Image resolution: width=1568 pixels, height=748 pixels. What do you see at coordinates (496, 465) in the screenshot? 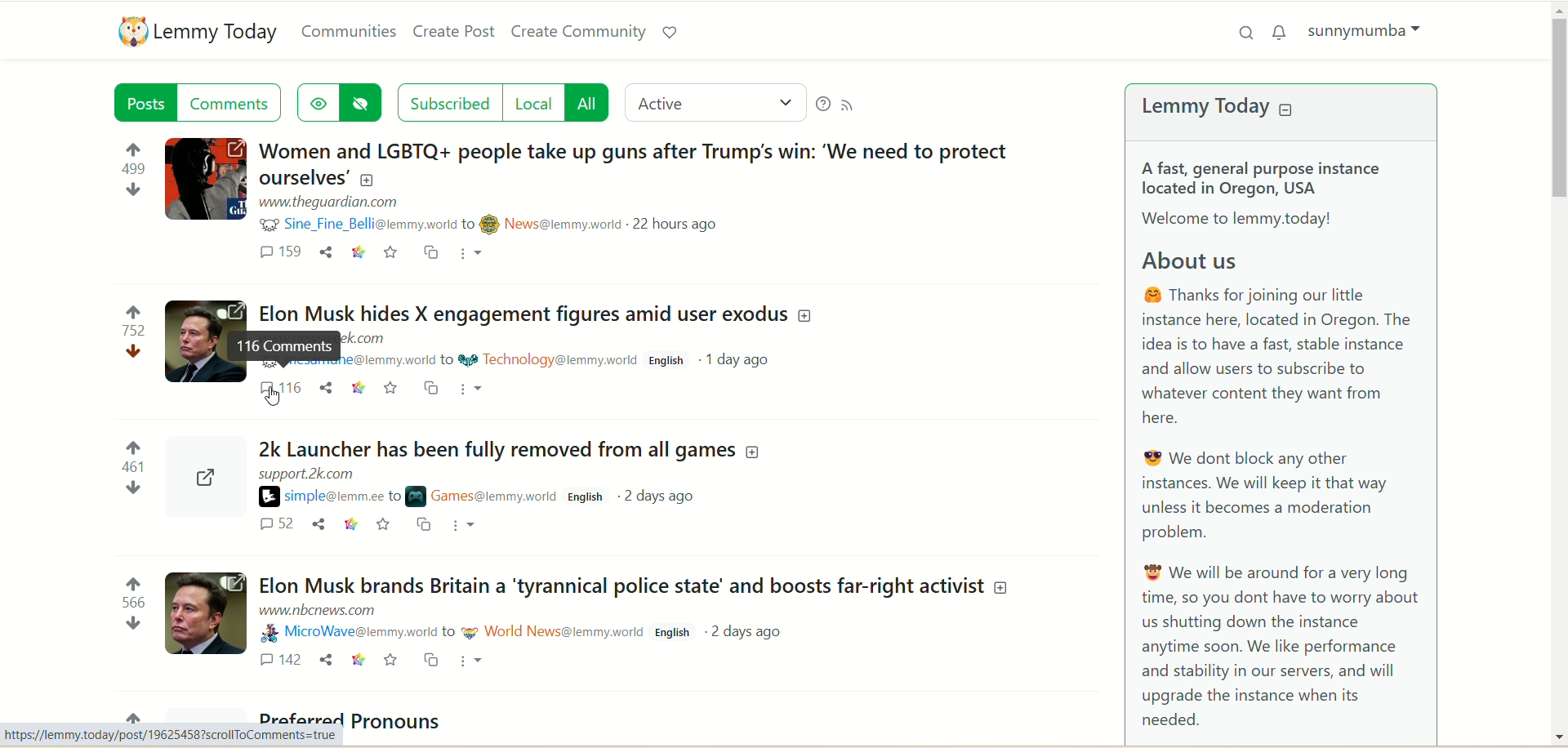
I see `2k Launcher has been fully removed from all games
support. 2k.com
3 simple@iemm.ee to [ff) Games@lemmyworid english - 2 days ago` at bounding box center [496, 465].